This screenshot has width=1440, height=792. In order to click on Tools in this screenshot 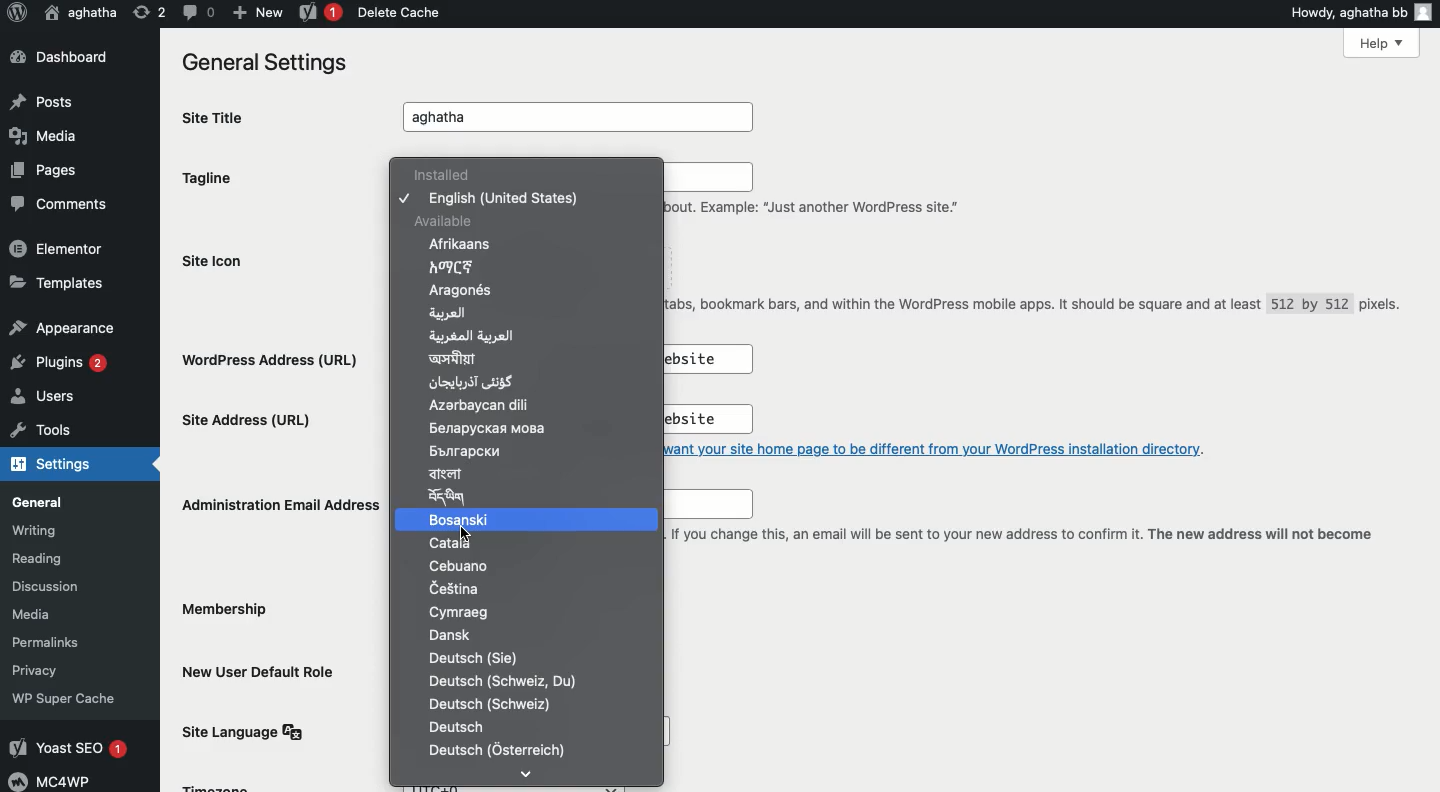, I will do `click(37, 431)`.